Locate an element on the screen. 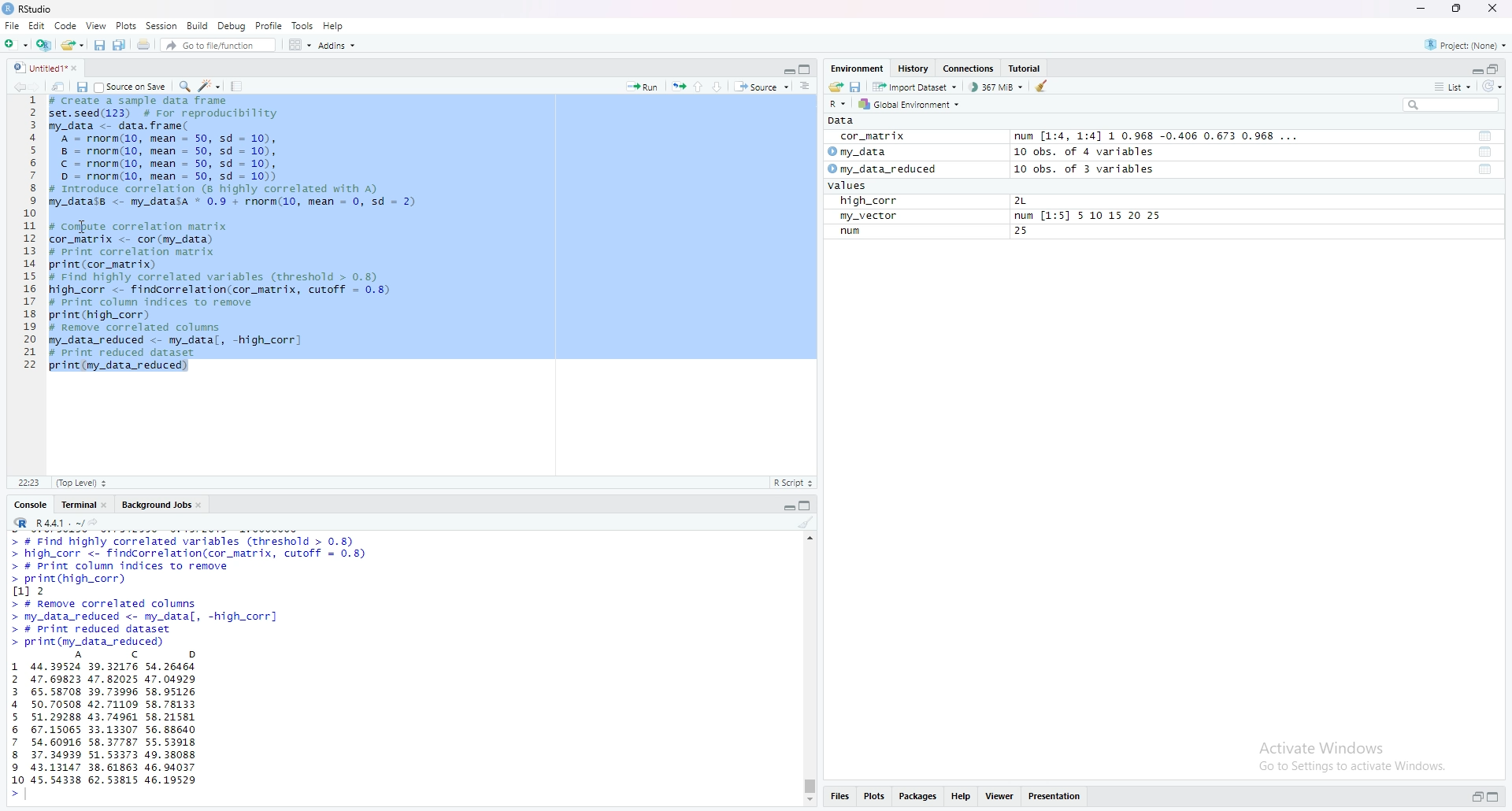  search is located at coordinates (186, 87).